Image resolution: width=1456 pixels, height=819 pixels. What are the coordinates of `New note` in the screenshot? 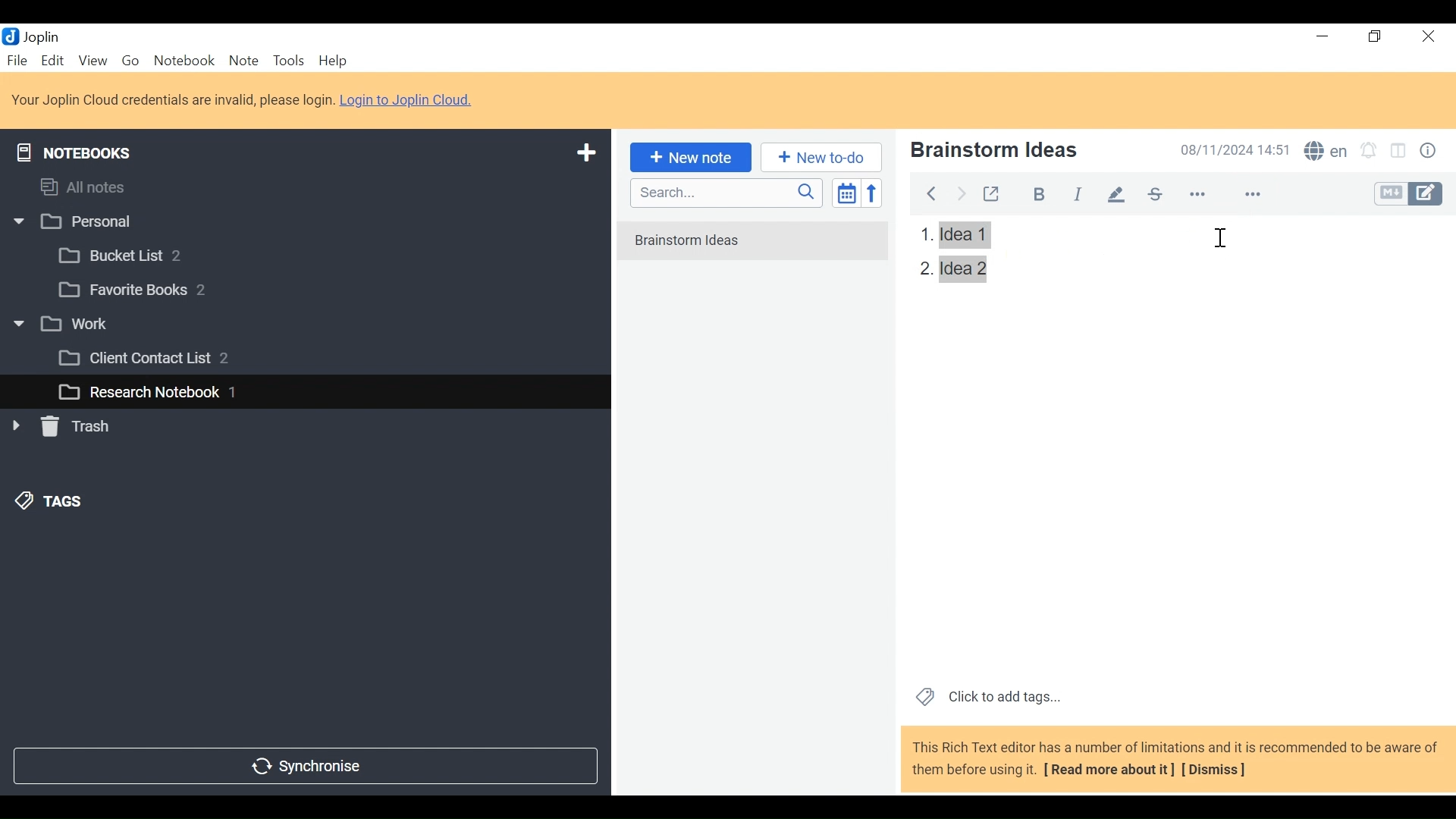 It's located at (688, 156).